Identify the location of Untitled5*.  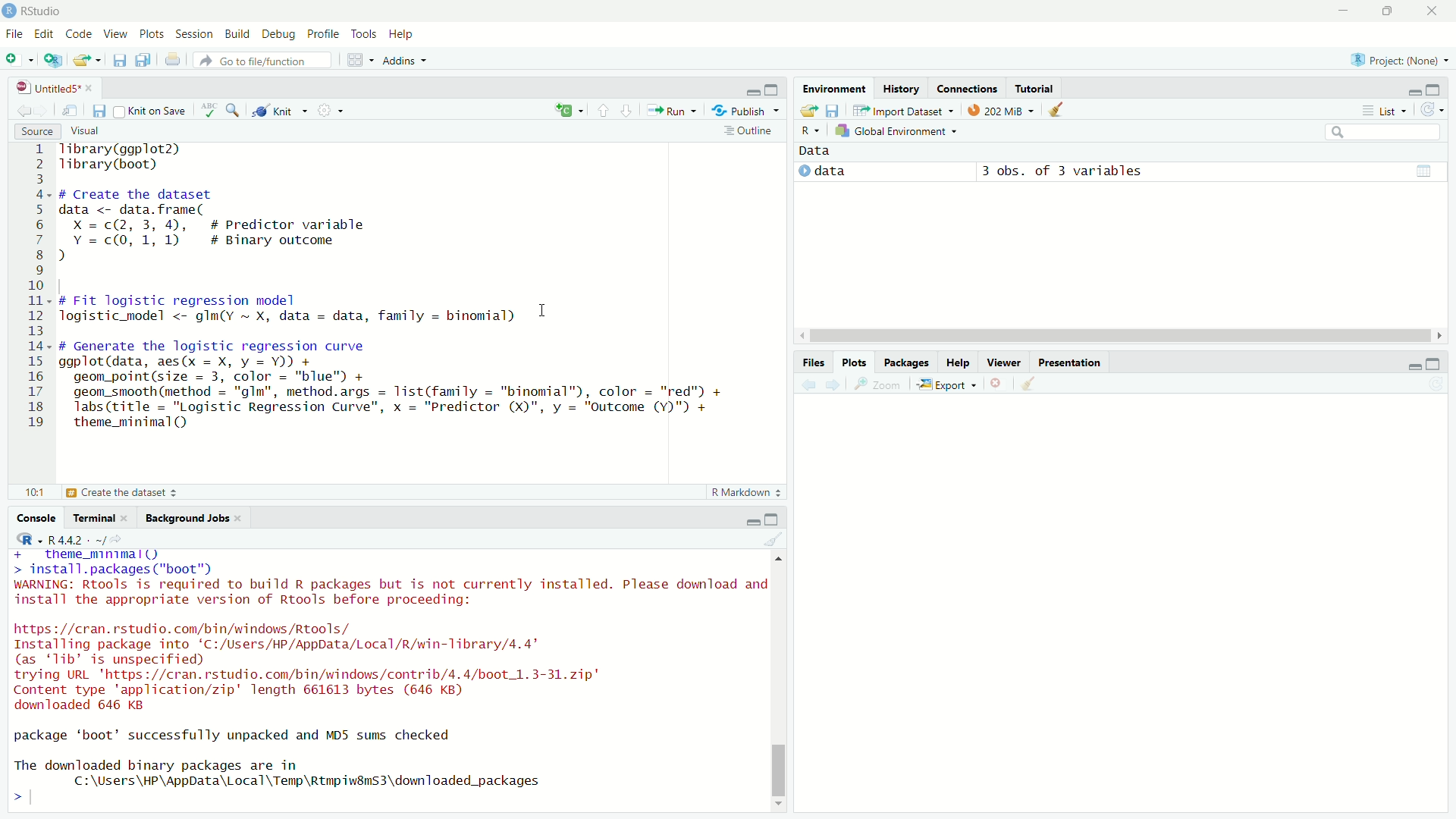
(47, 88).